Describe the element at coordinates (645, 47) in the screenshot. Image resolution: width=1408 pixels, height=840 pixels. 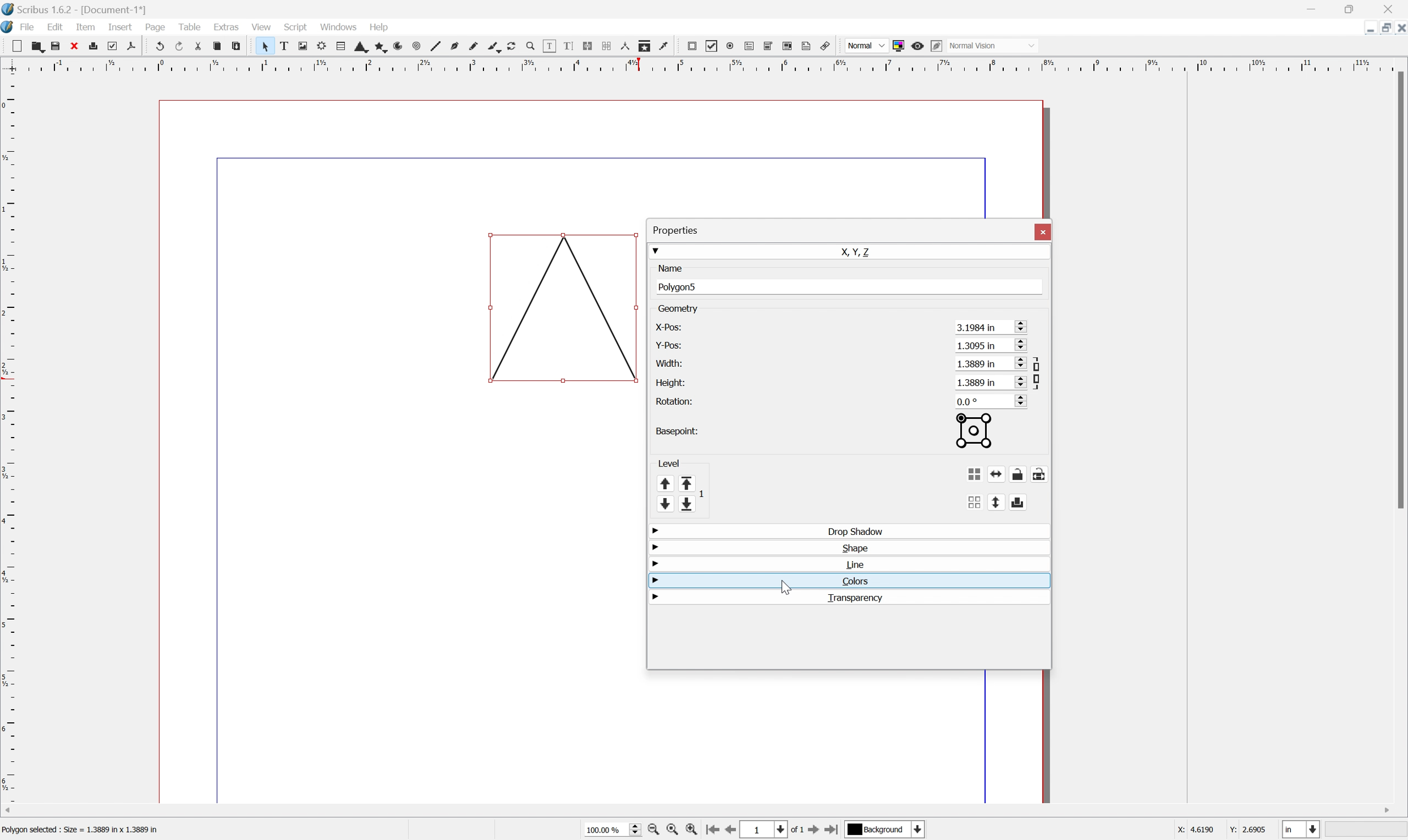
I see `Copy item properties` at that location.